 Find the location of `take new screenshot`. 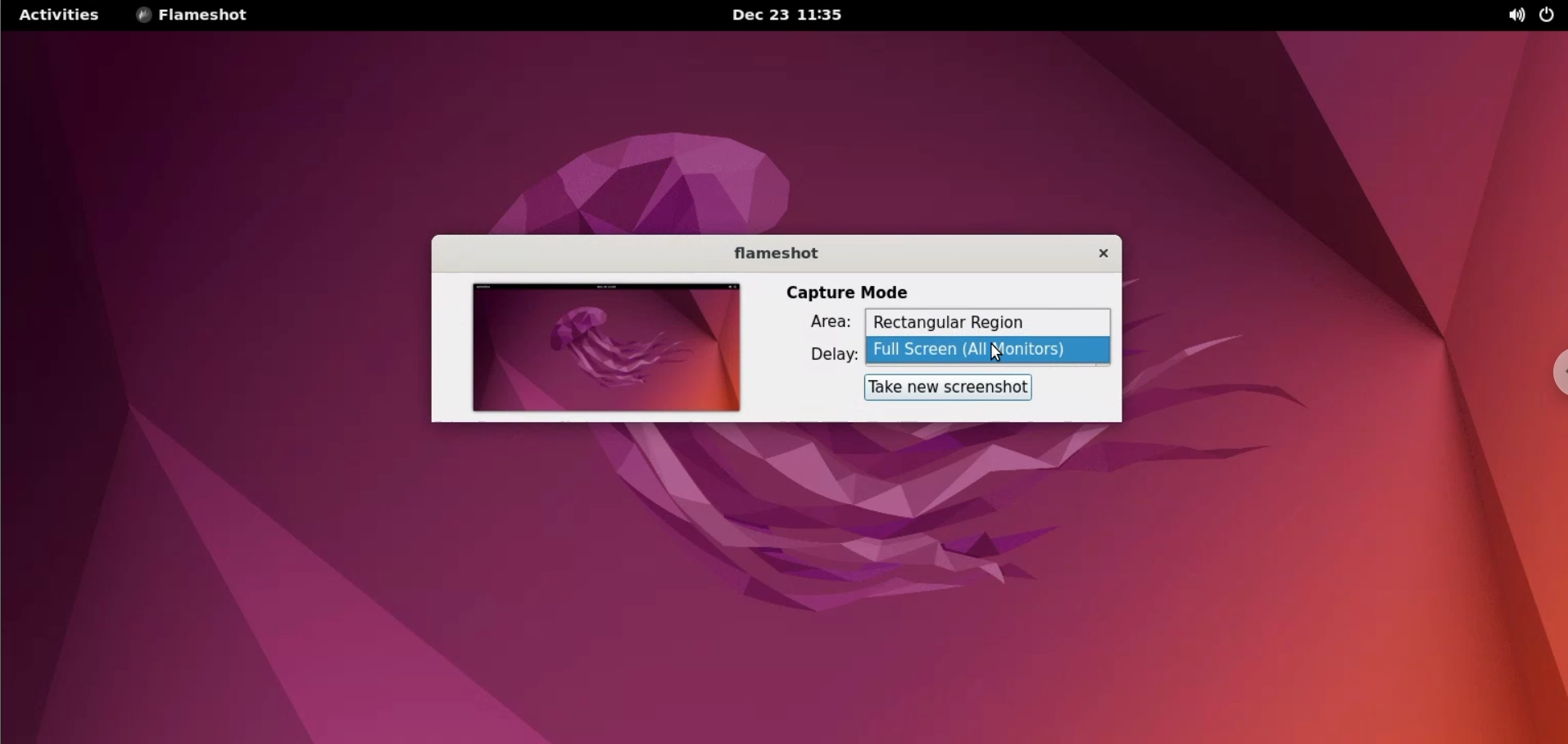

take new screenshot is located at coordinates (951, 387).